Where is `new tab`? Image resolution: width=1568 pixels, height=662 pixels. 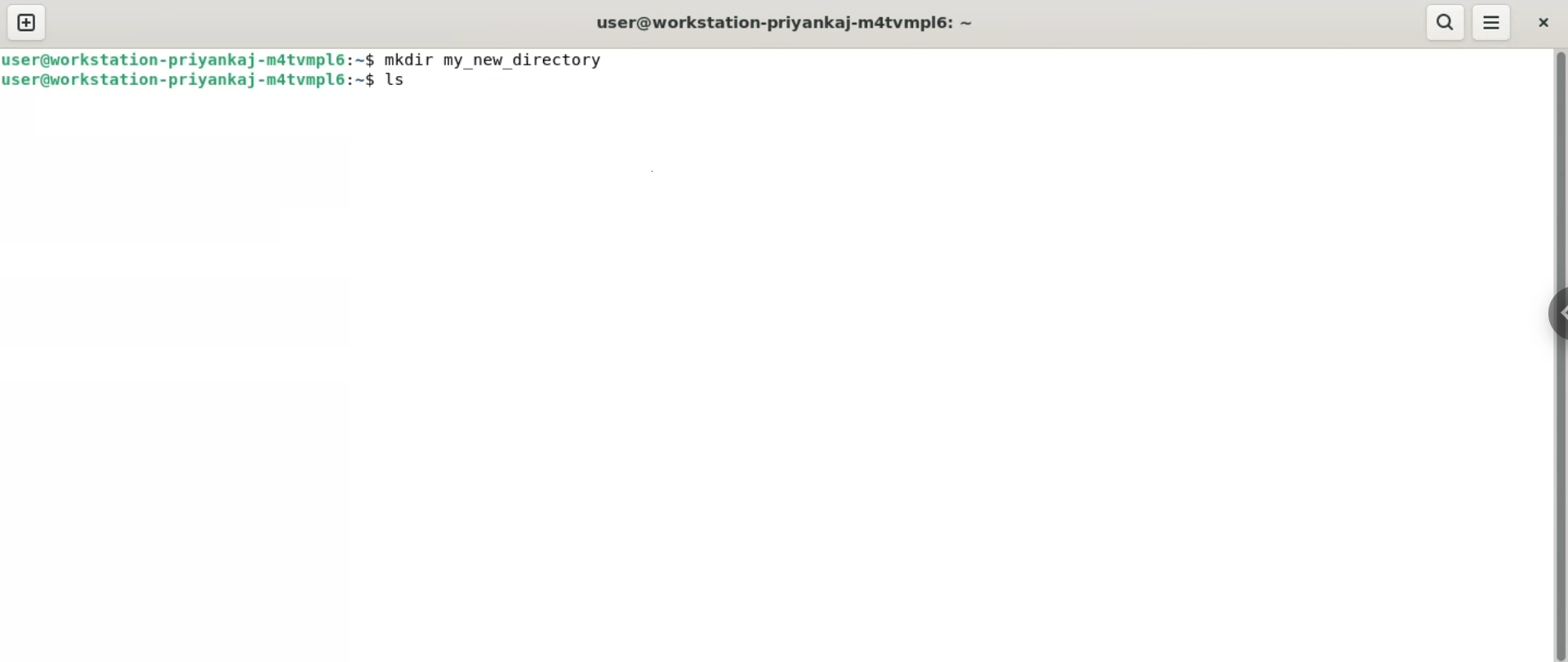 new tab is located at coordinates (25, 25).